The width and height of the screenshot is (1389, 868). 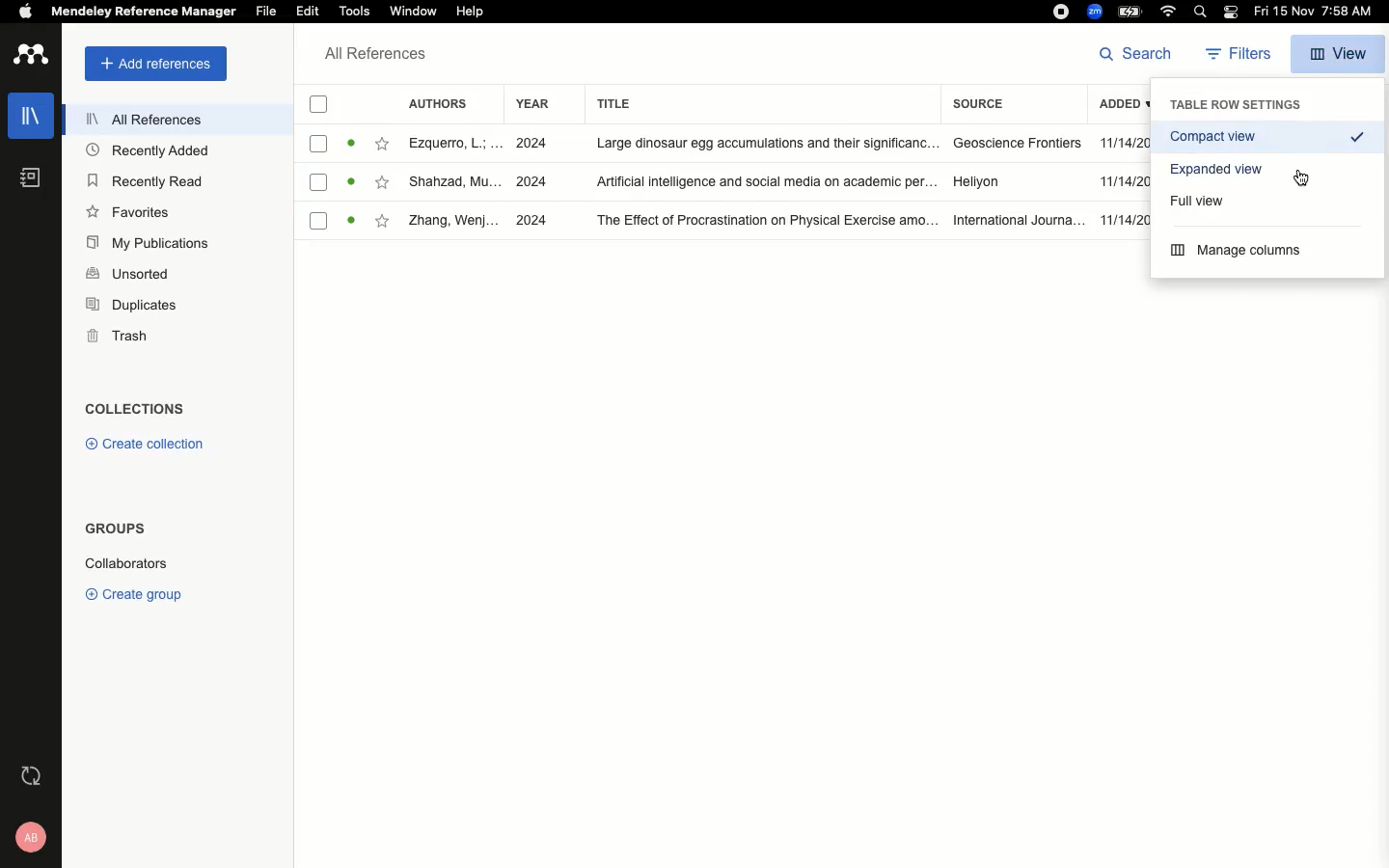 I want to click on Tools, so click(x=356, y=13).